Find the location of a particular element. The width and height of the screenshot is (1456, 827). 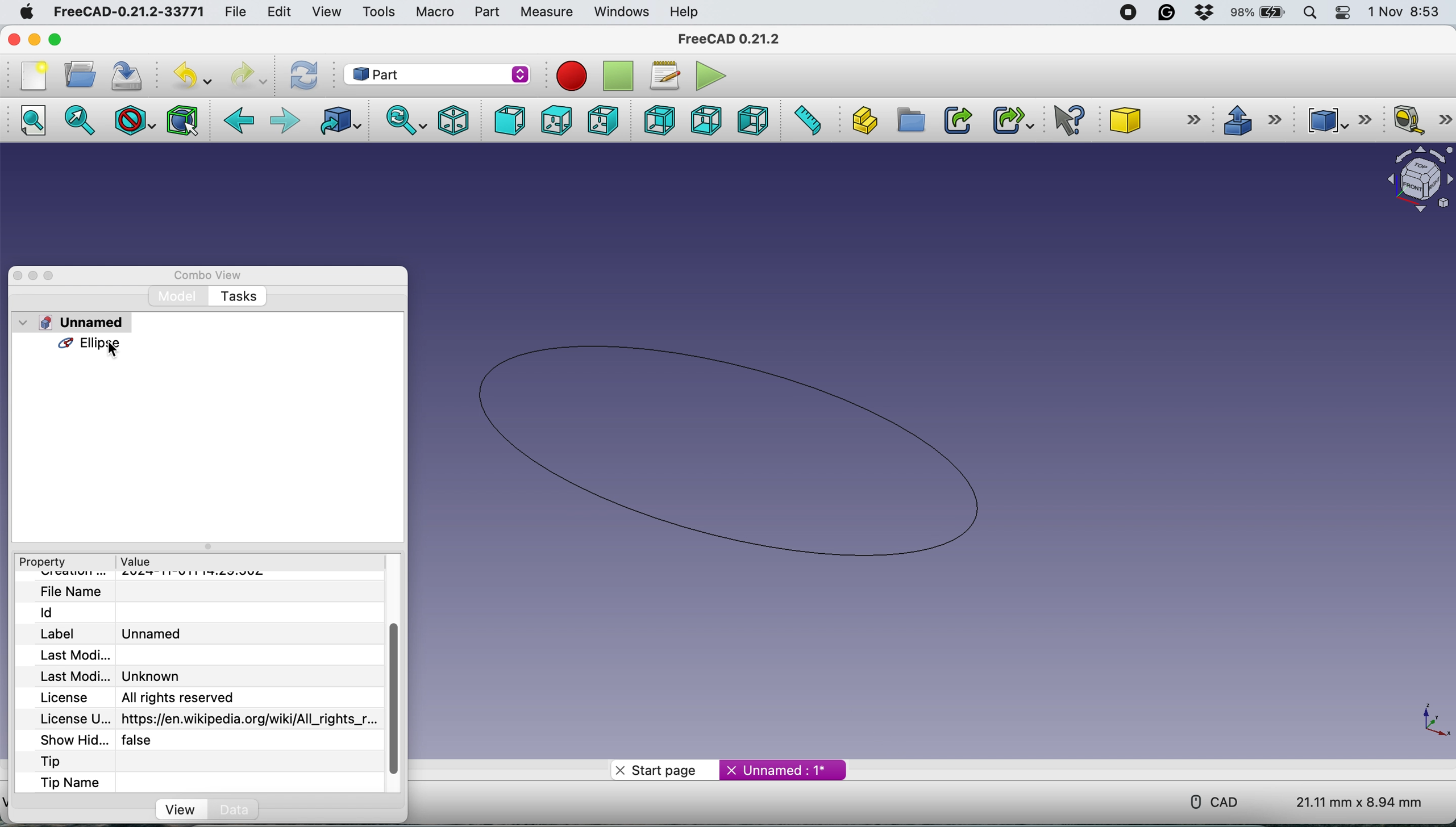

workbench is located at coordinates (437, 76).